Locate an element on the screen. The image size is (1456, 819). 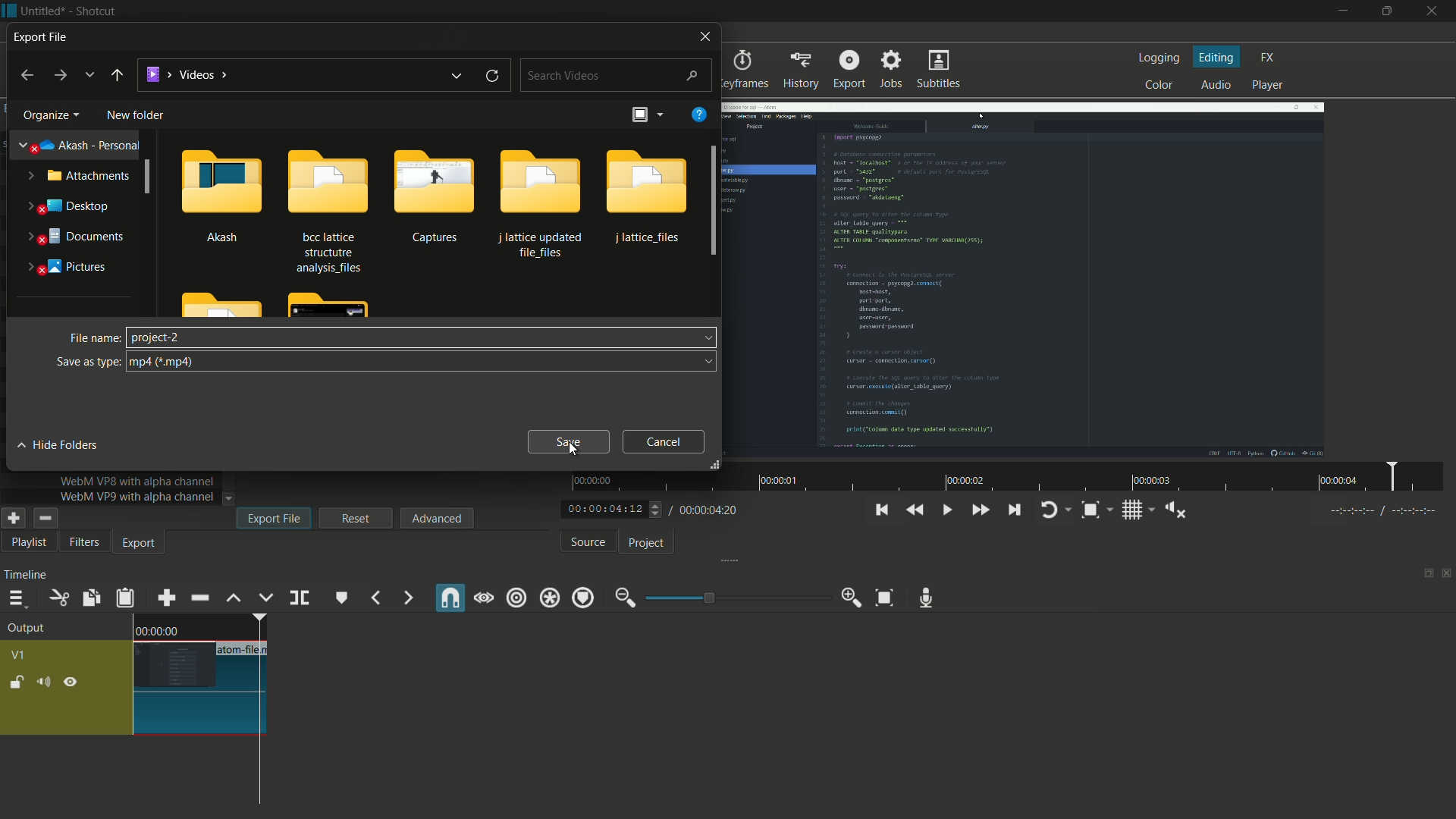
recent location is located at coordinates (89, 75).